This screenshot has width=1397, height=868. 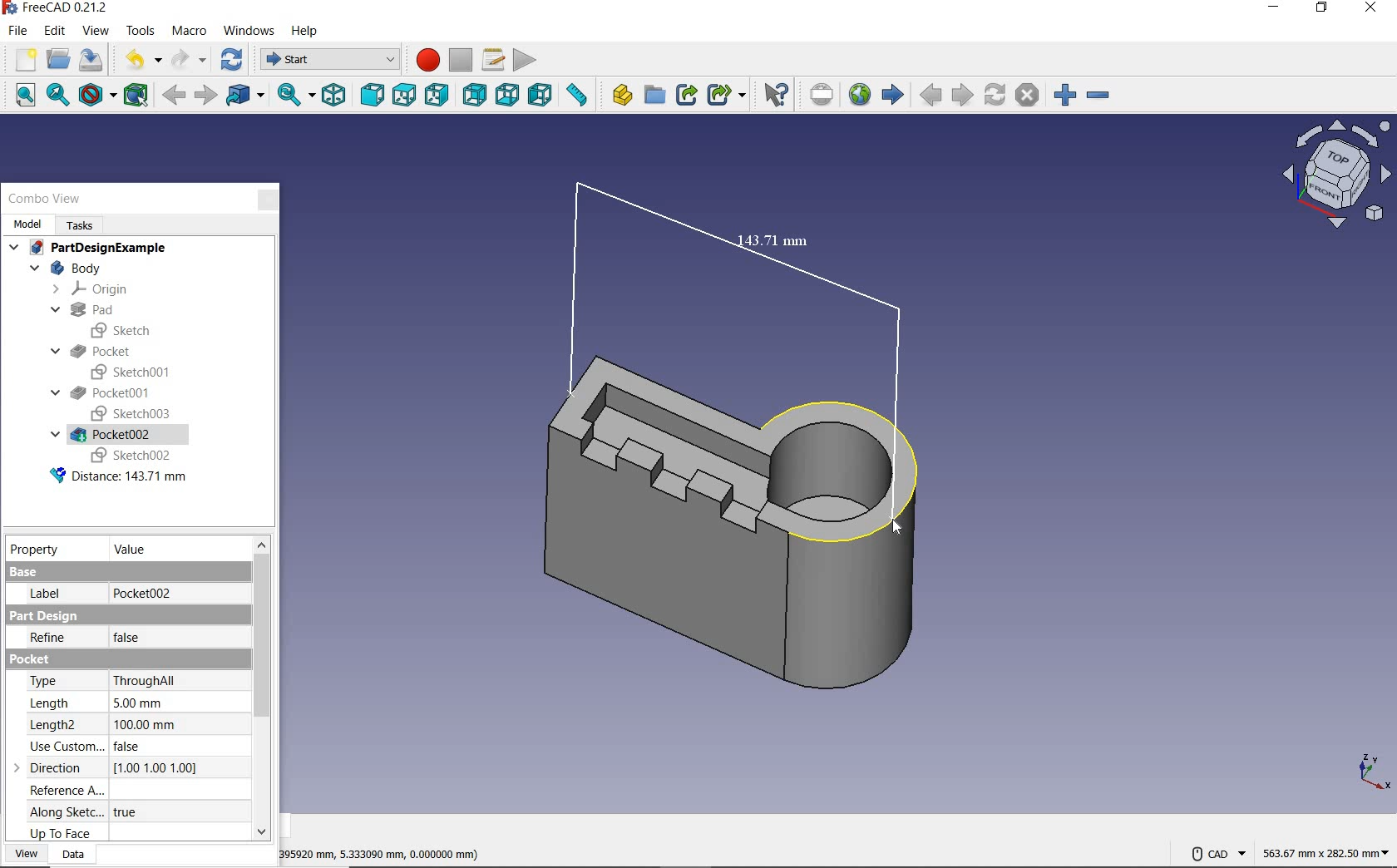 What do you see at coordinates (58, 96) in the screenshot?
I see `fit selection` at bounding box center [58, 96].